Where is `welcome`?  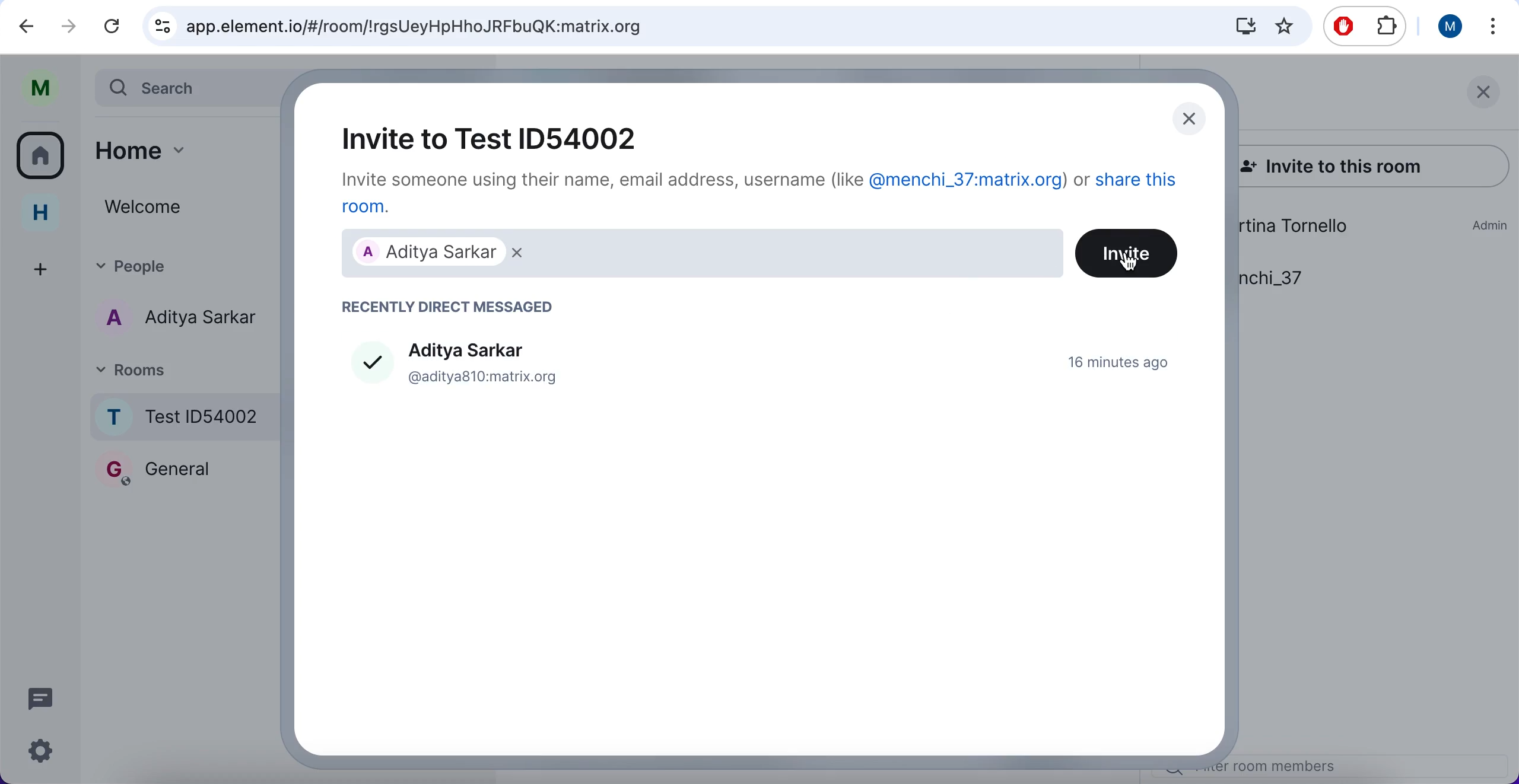
welcome is located at coordinates (186, 206).